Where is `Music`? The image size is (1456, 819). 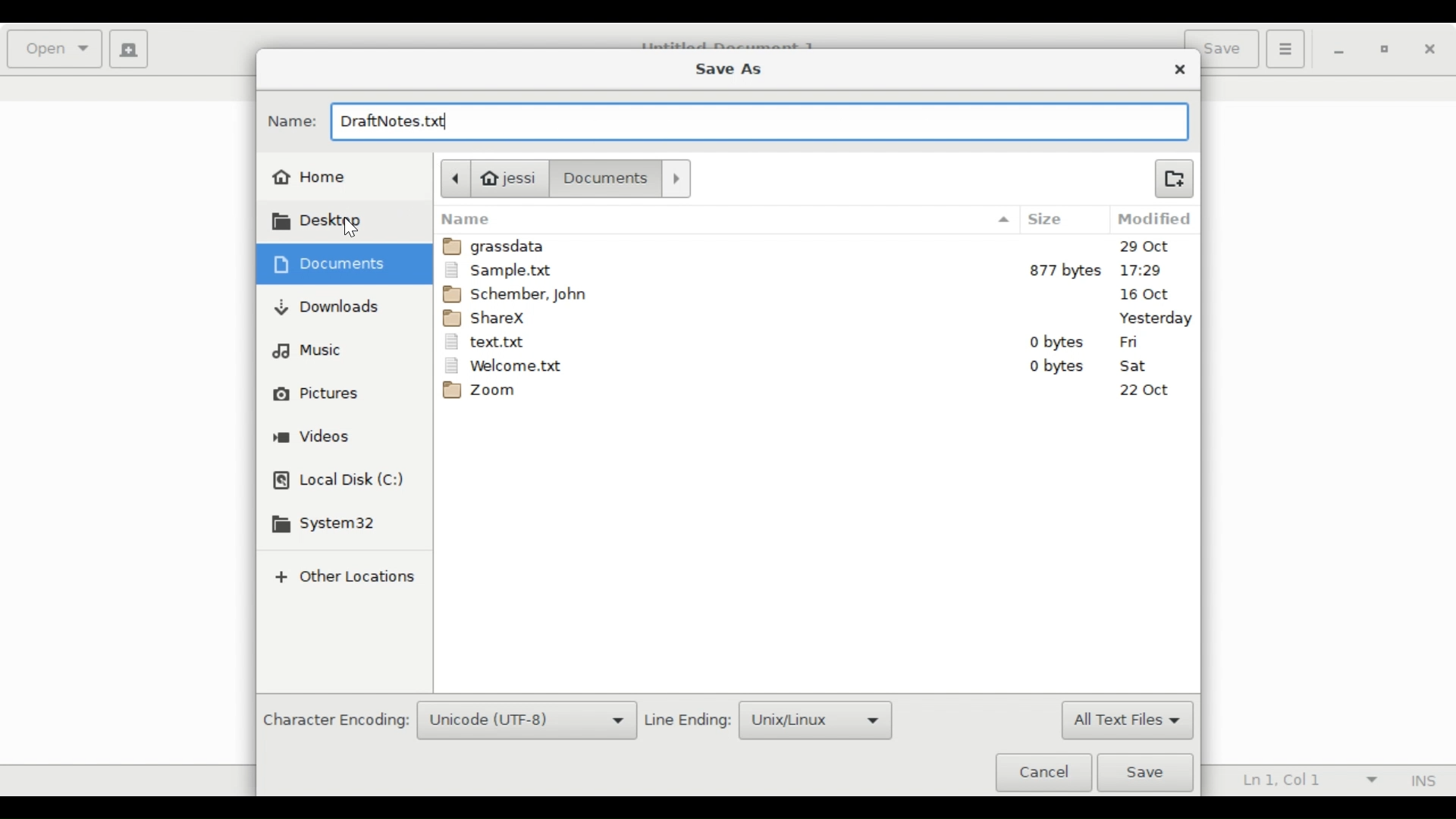
Music is located at coordinates (308, 350).